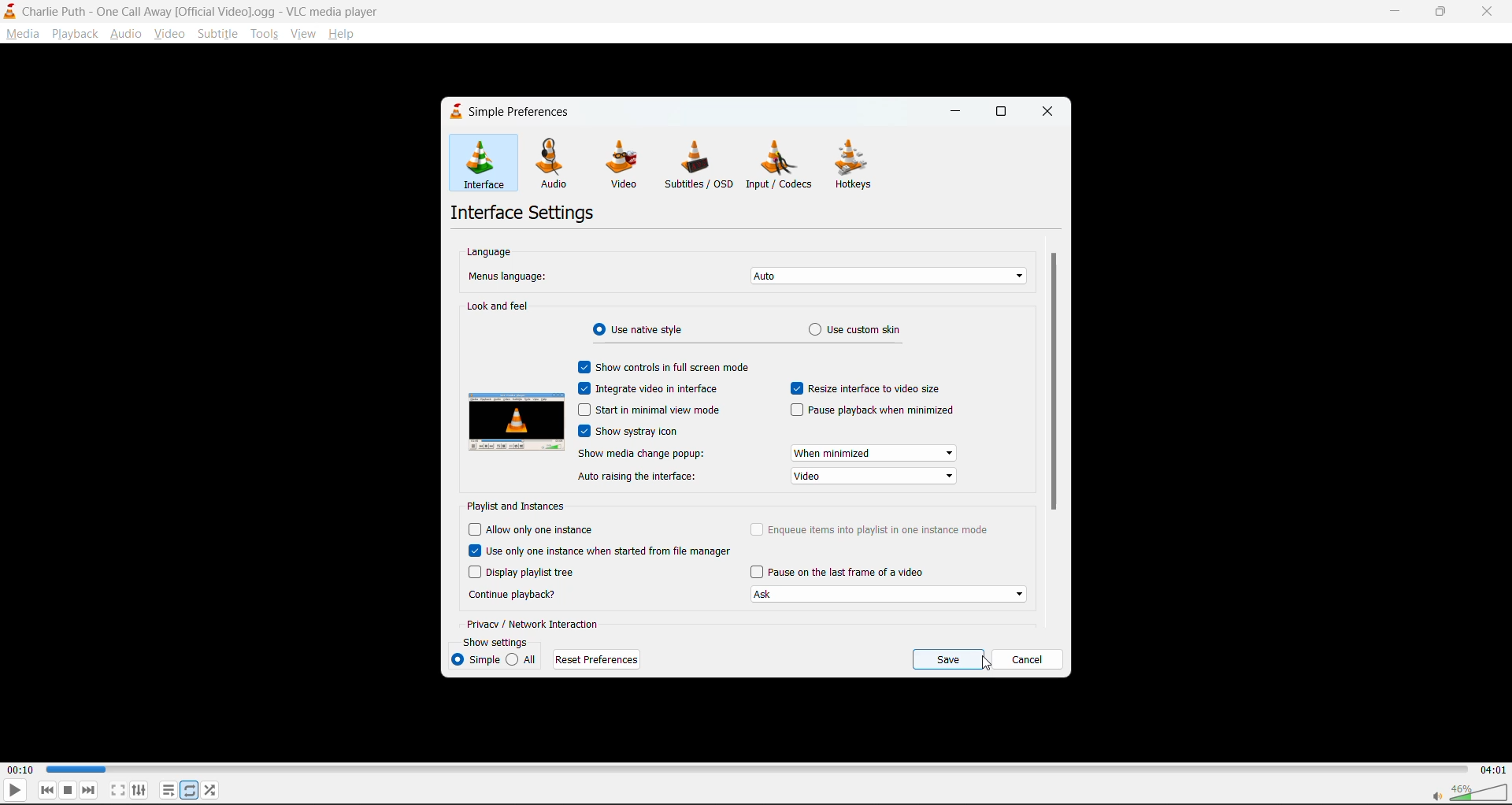  Describe the element at coordinates (22, 766) in the screenshot. I see `00:10` at that location.